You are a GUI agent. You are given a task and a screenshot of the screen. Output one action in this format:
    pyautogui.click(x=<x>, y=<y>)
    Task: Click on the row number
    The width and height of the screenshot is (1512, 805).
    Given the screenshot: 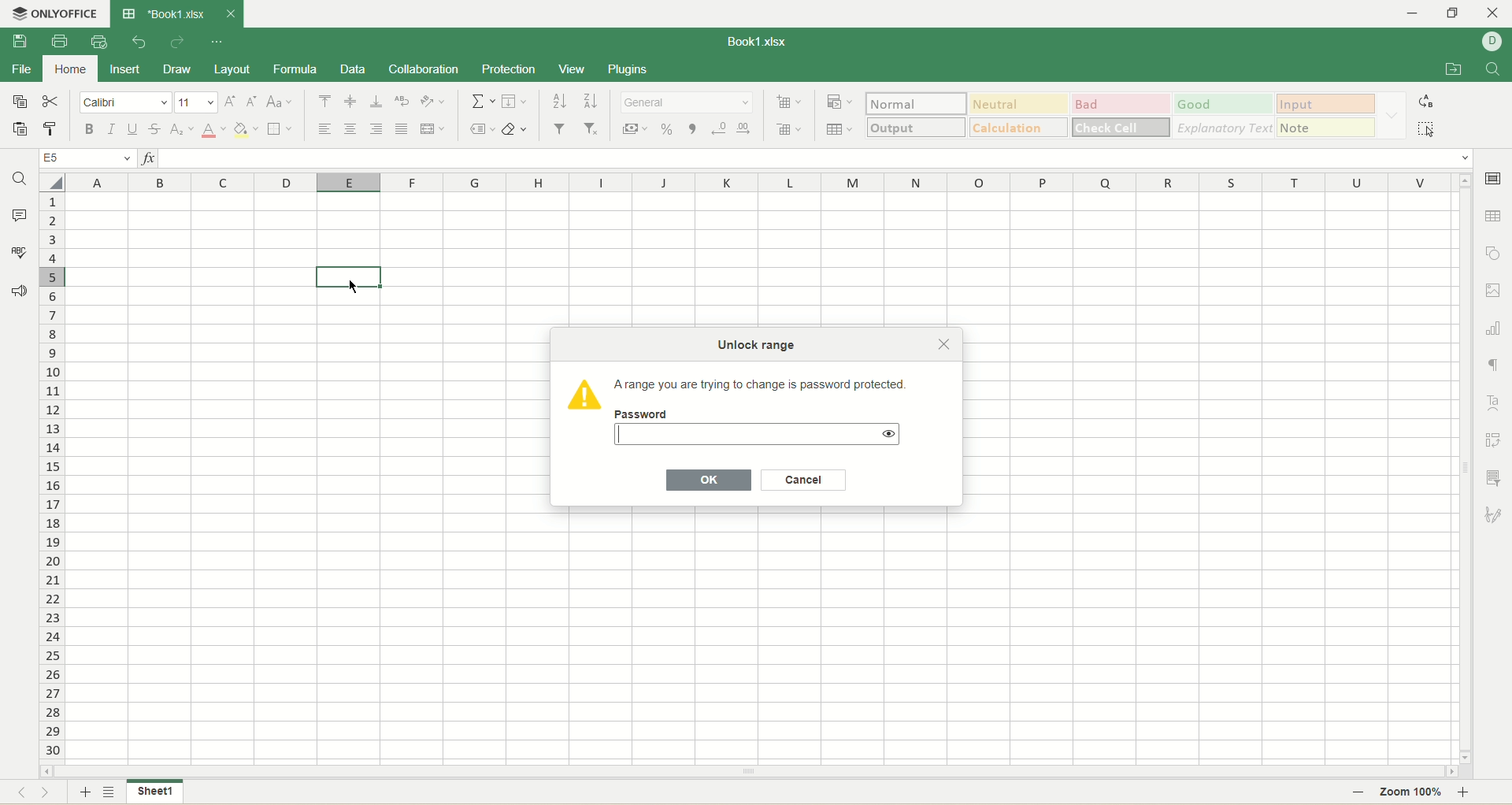 What is the action you would take?
    pyautogui.click(x=55, y=473)
    